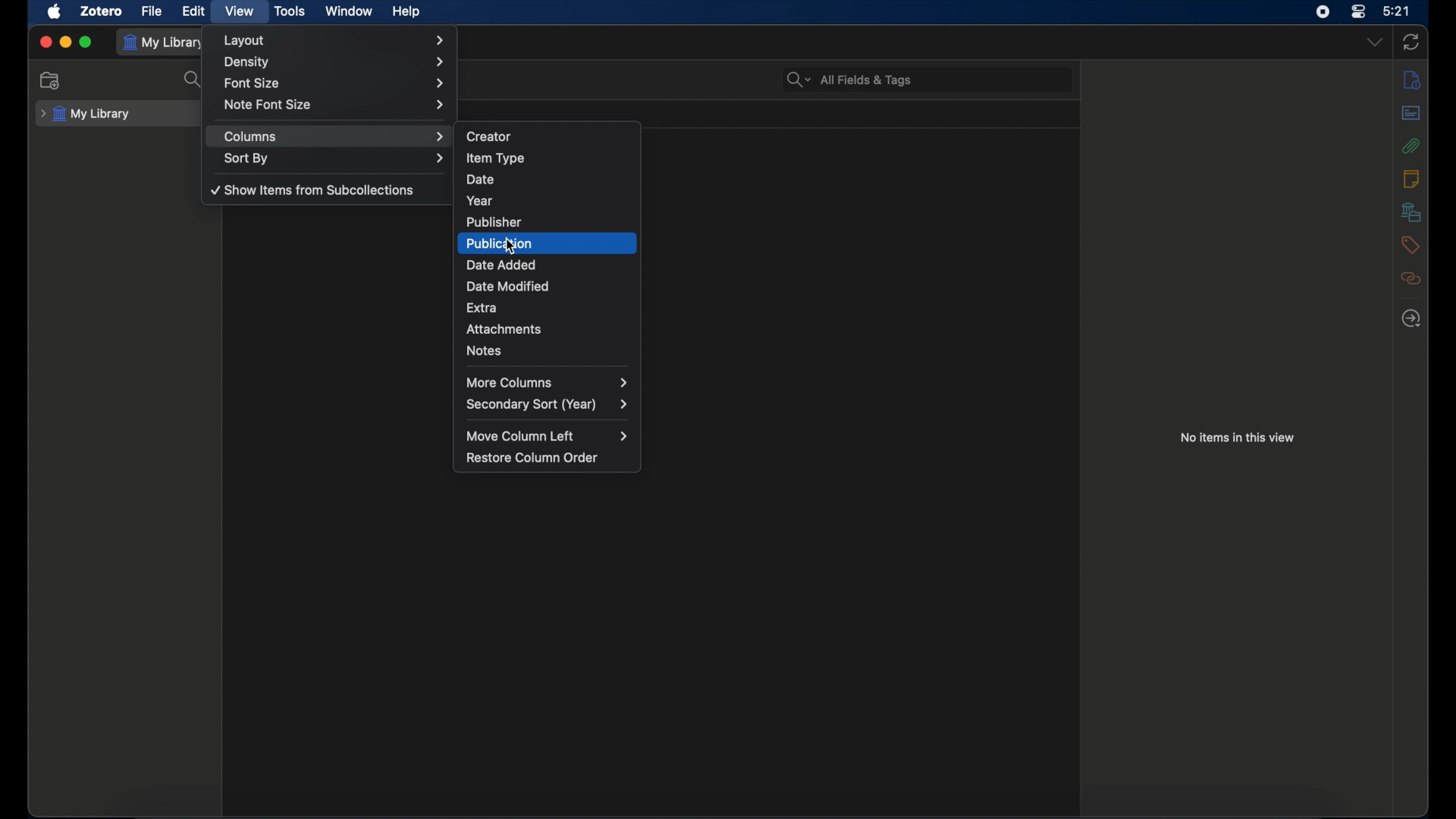  I want to click on tags, so click(1410, 244).